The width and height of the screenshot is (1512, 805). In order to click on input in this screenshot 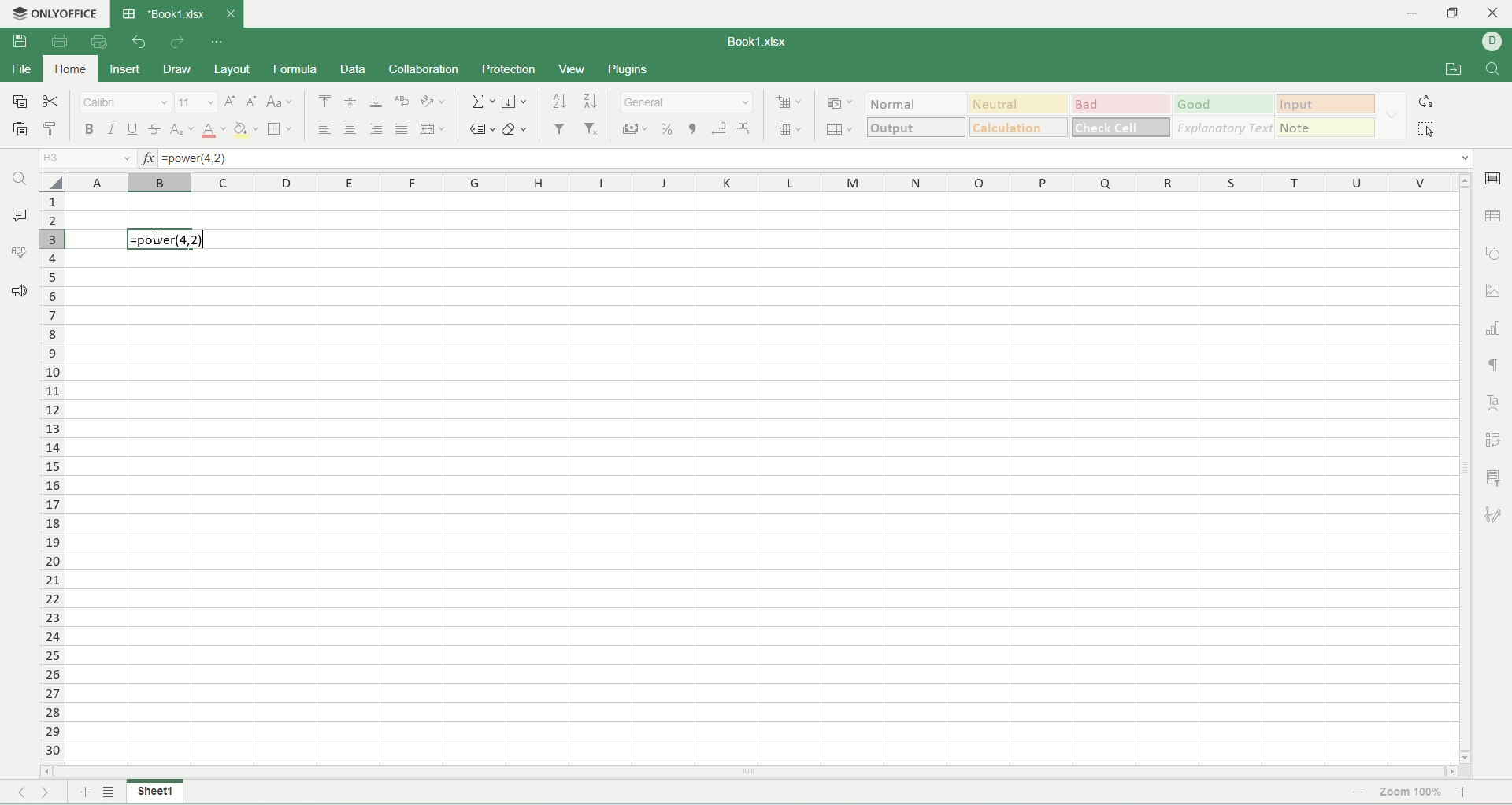, I will do `click(1329, 103)`.